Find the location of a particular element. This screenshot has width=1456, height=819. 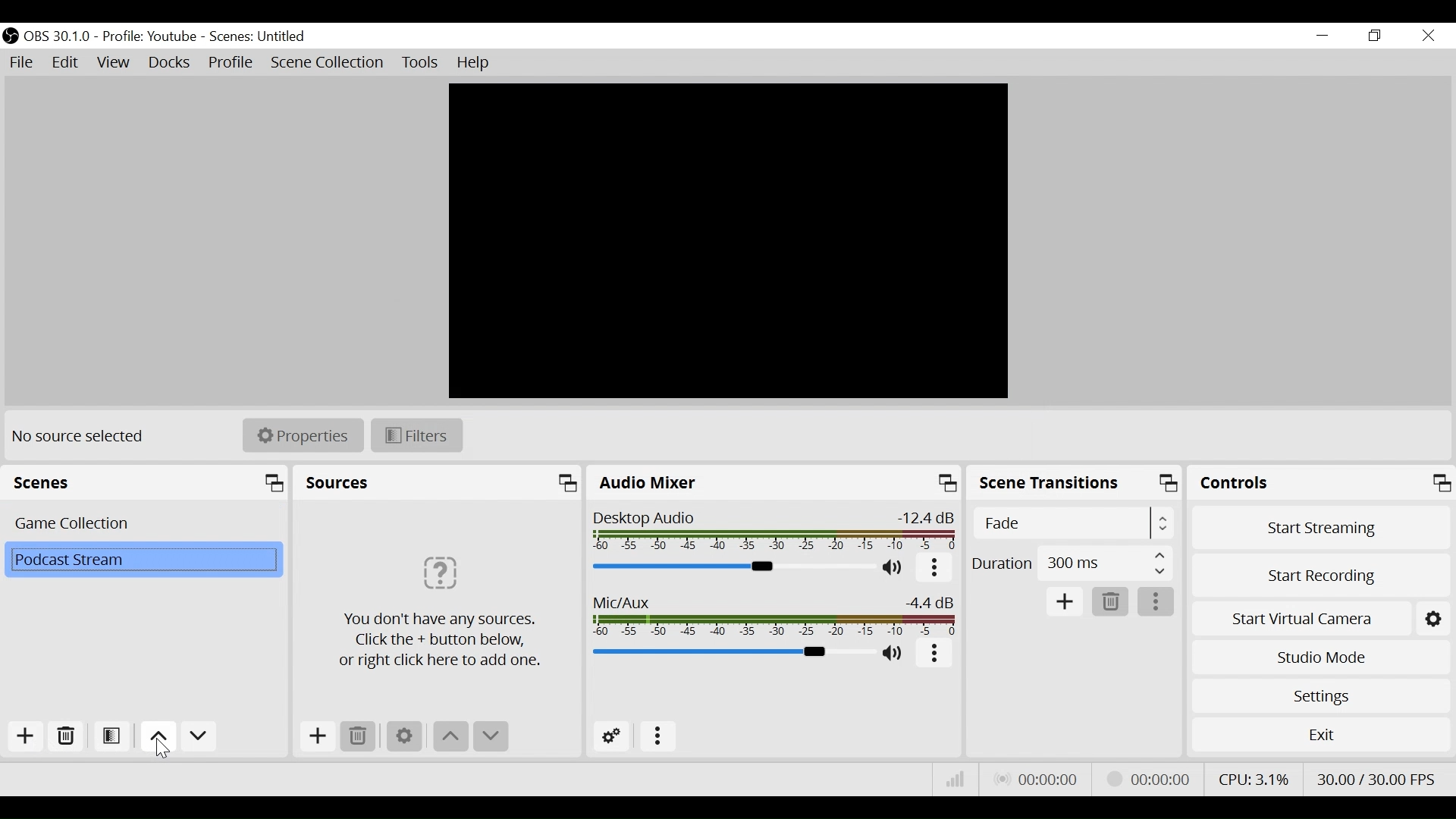

(un)mute is located at coordinates (893, 655).